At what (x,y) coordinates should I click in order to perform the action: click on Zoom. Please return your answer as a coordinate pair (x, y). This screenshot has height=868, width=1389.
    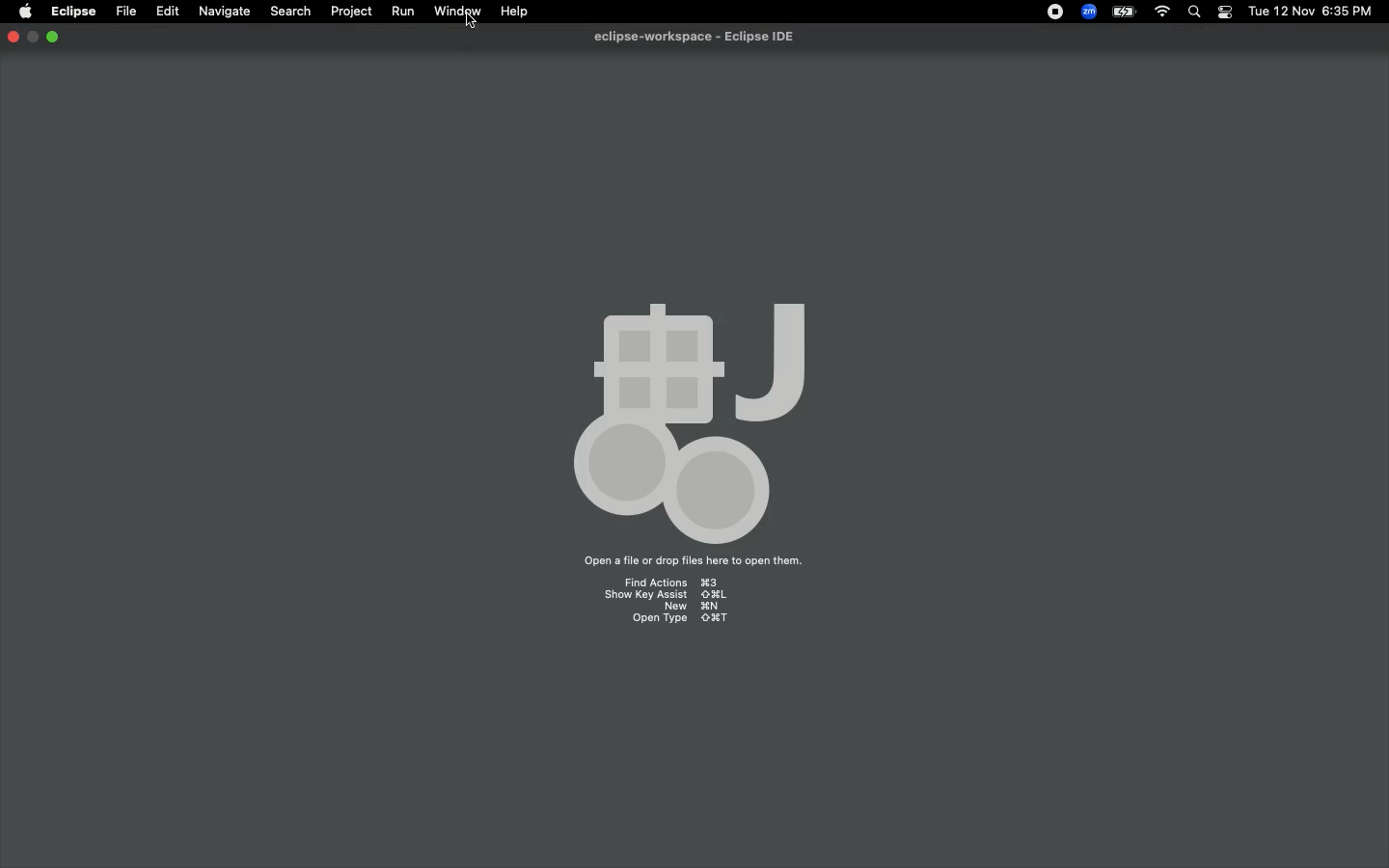
    Looking at the image, I should click on (1090, 12).